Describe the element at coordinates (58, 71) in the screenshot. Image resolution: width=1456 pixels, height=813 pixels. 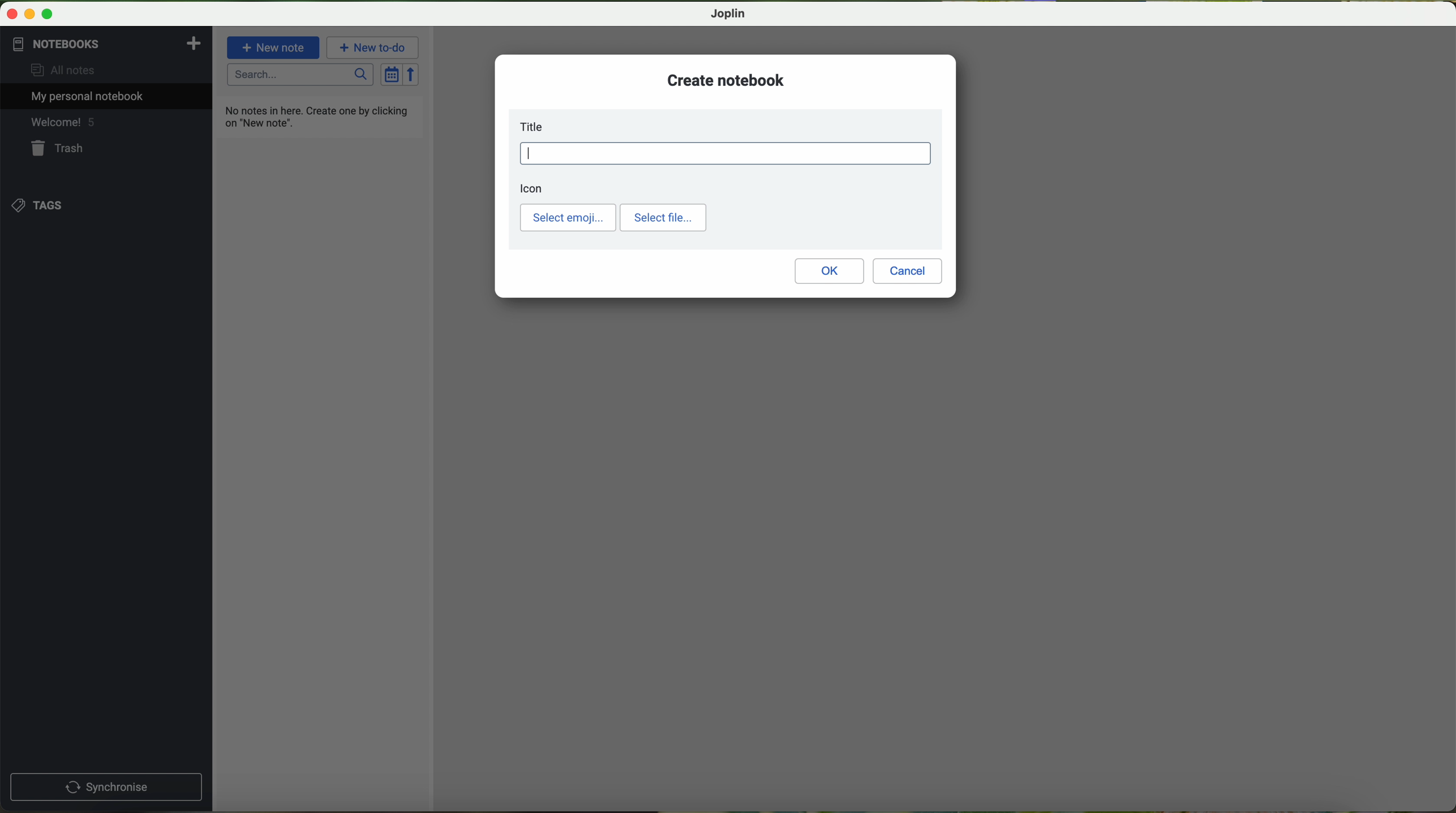
I see `all notes` at that location.